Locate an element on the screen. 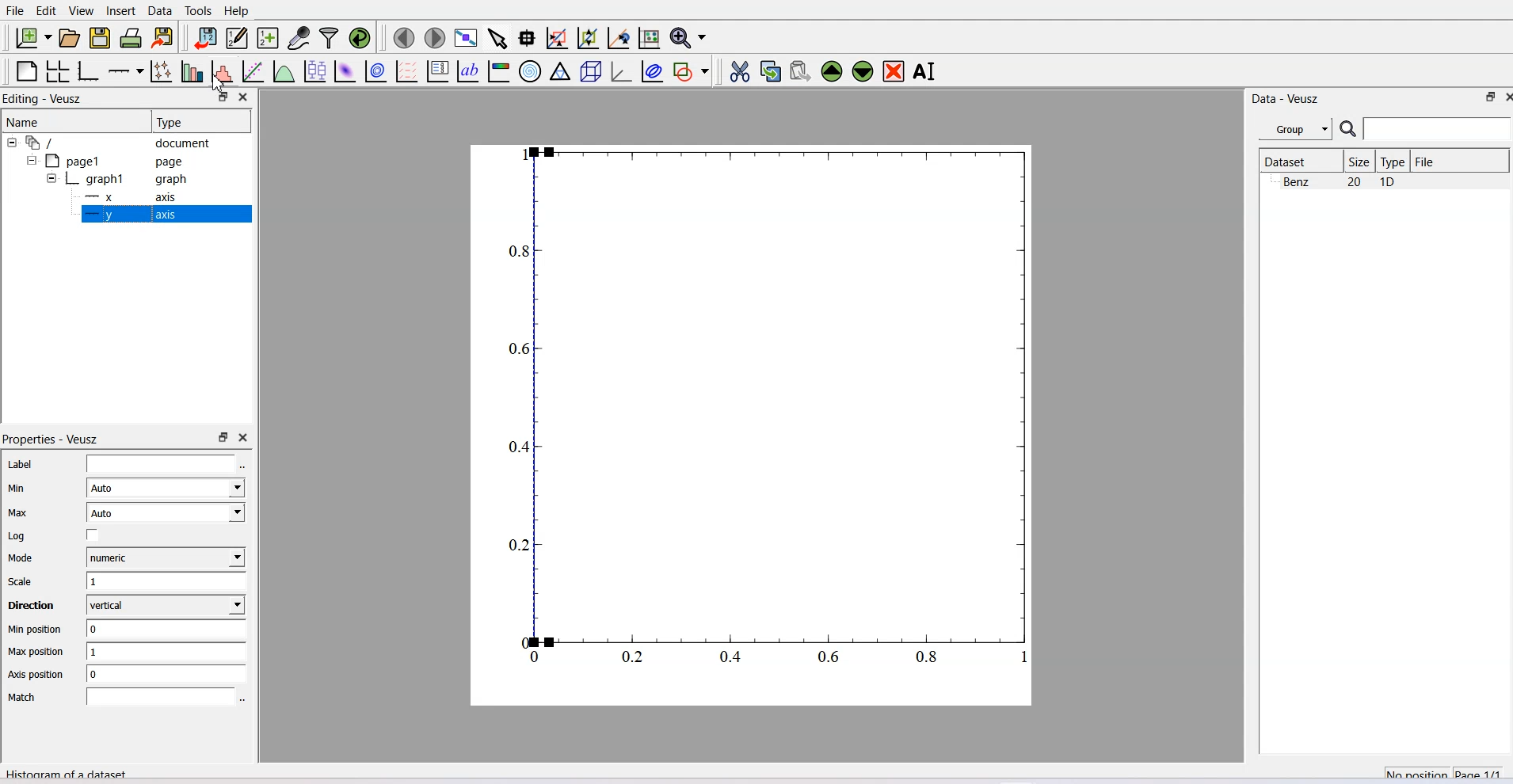 Image resolution: width=1513 pixels, height=784 pixels. Blank Page is located at coordinates (25, 71).